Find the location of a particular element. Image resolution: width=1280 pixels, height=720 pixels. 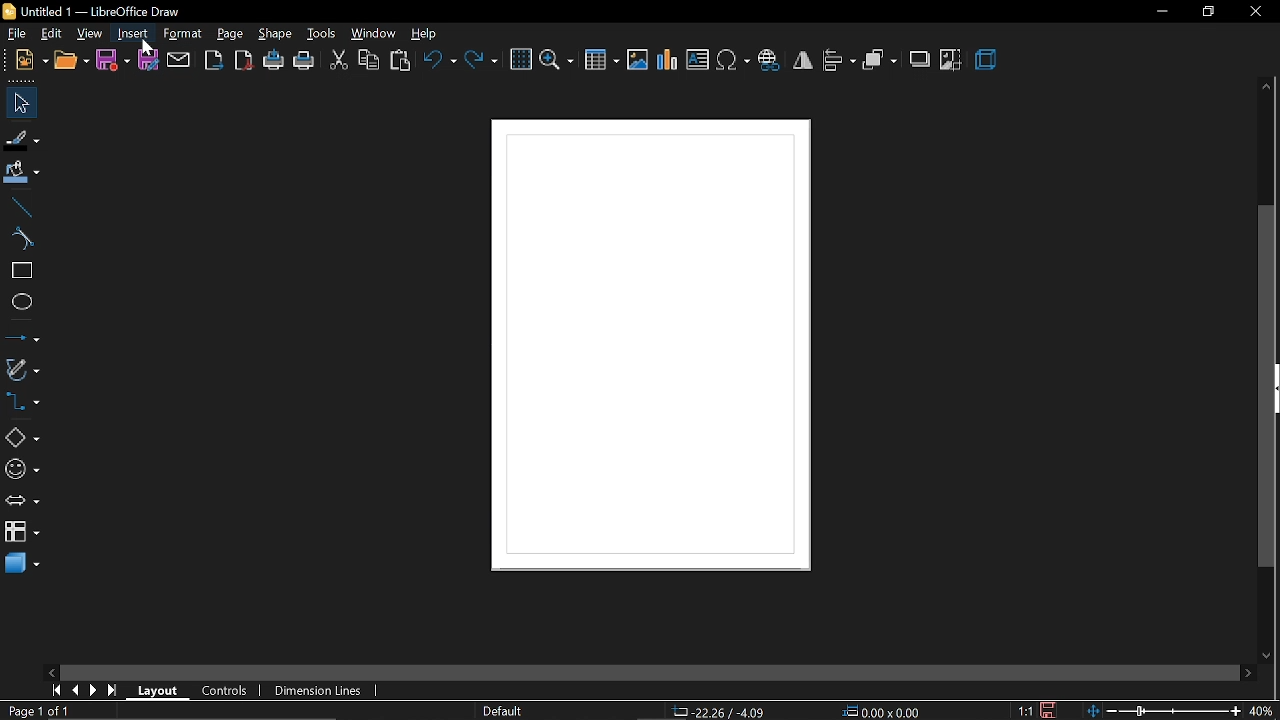

export is located at coordinates (214, 62).